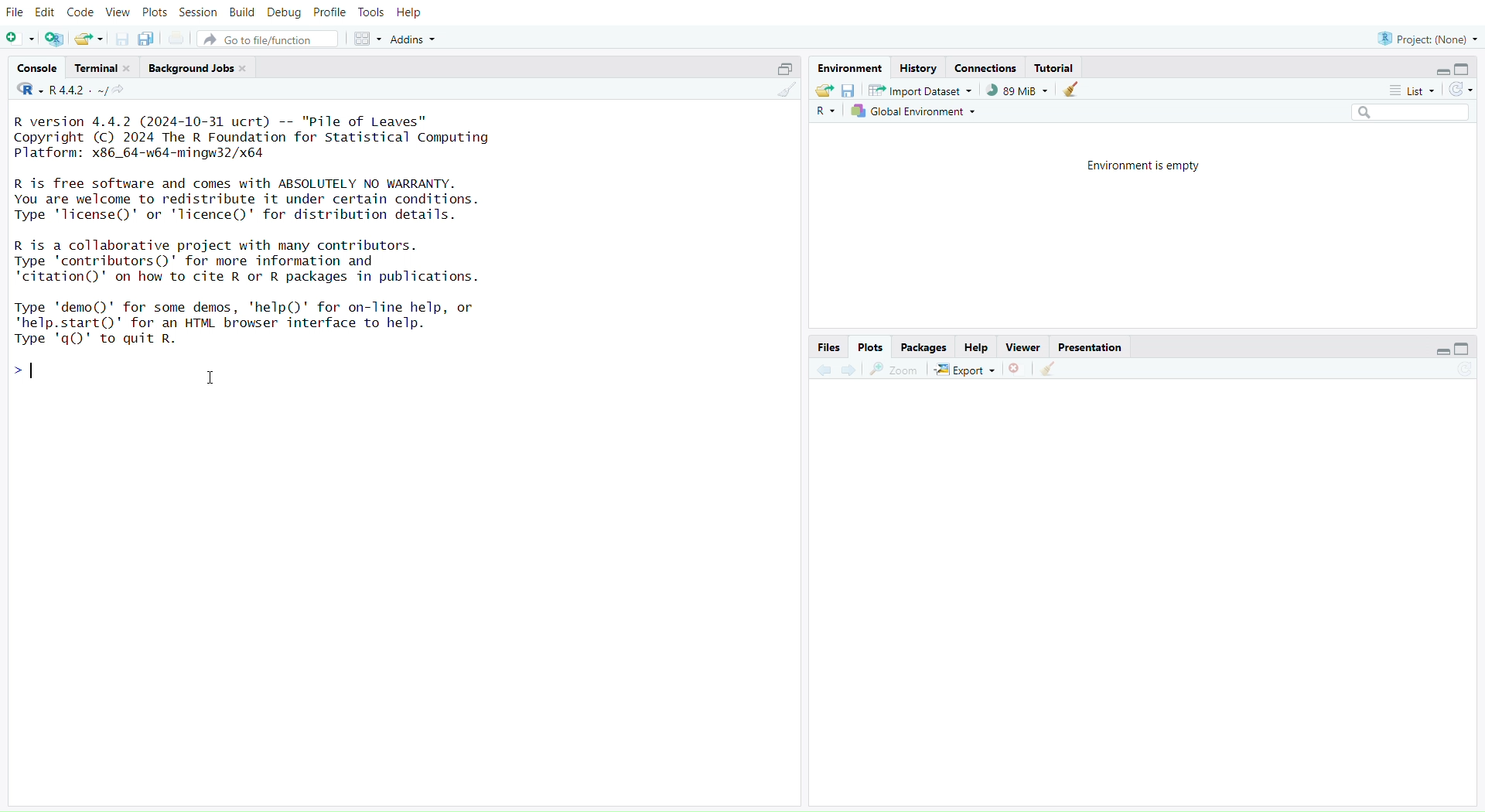  What do you see at coordinates (366, 39) in the screenshot?
I see `Workspace panes` at bounding box center [366, 39].